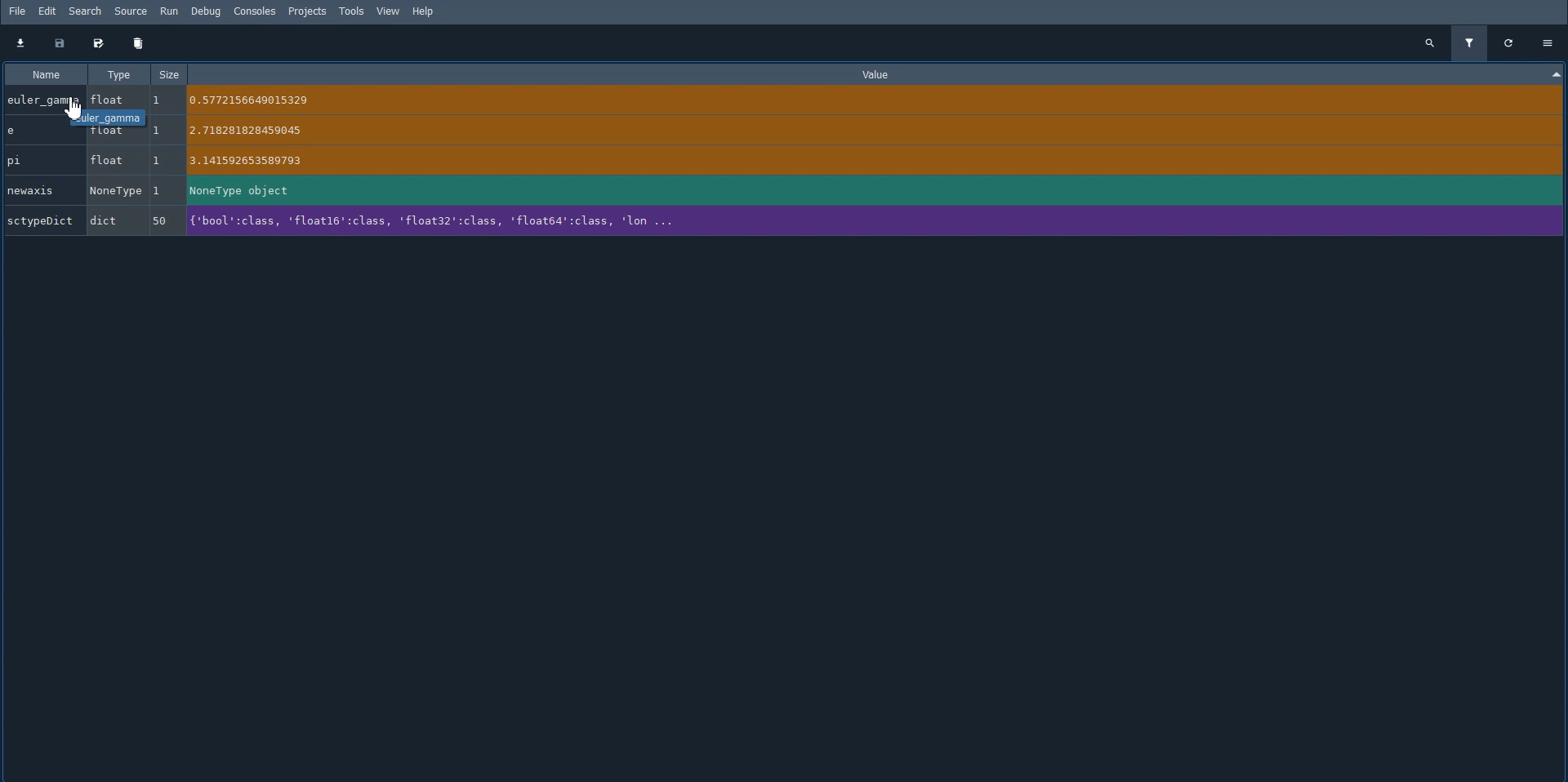 This screenshot has height=782, width=1568. I want to click on Cursor, so click(69, 106).